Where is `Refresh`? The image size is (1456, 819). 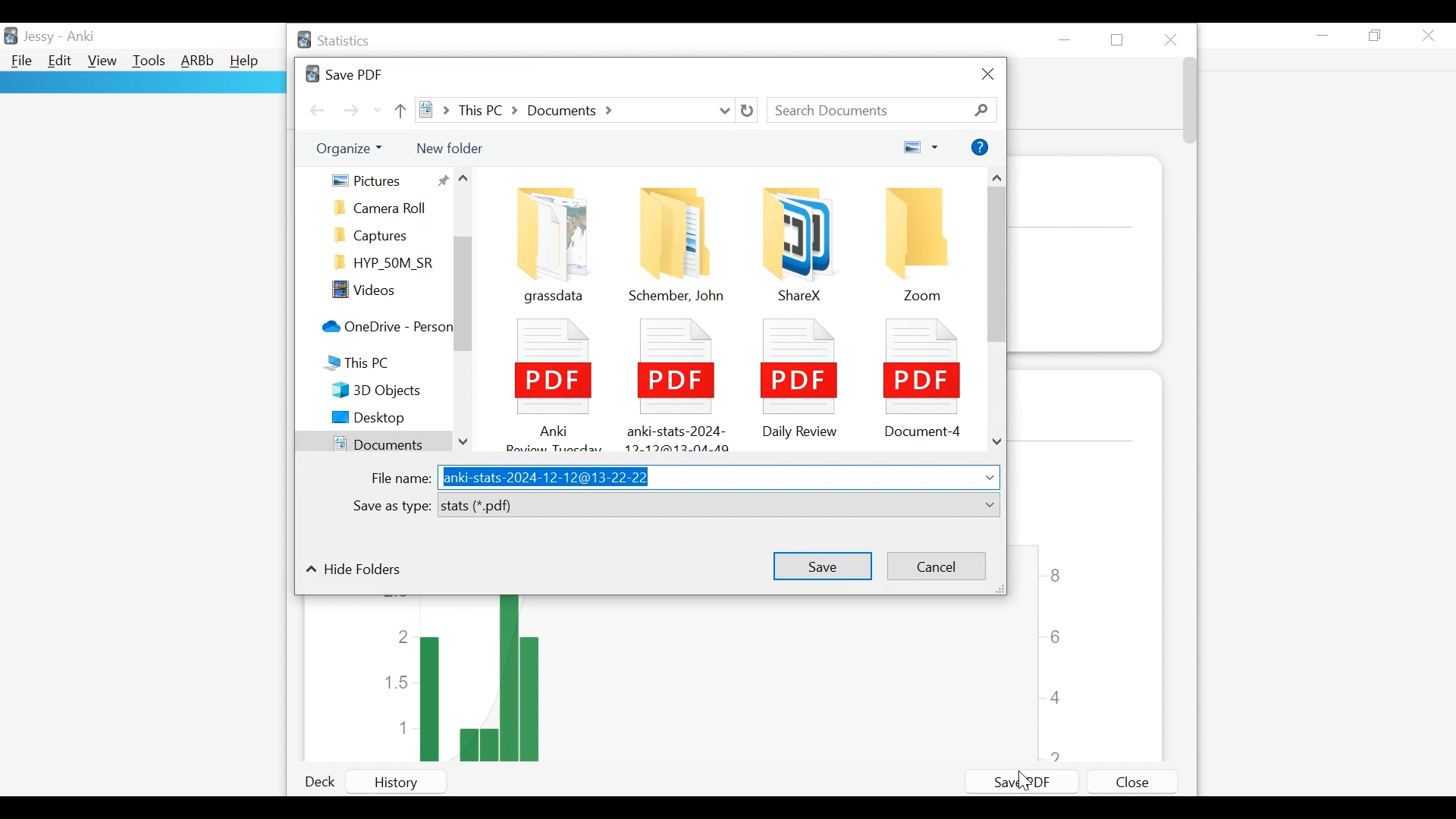
Refresh is located at coordinates (748, 111).